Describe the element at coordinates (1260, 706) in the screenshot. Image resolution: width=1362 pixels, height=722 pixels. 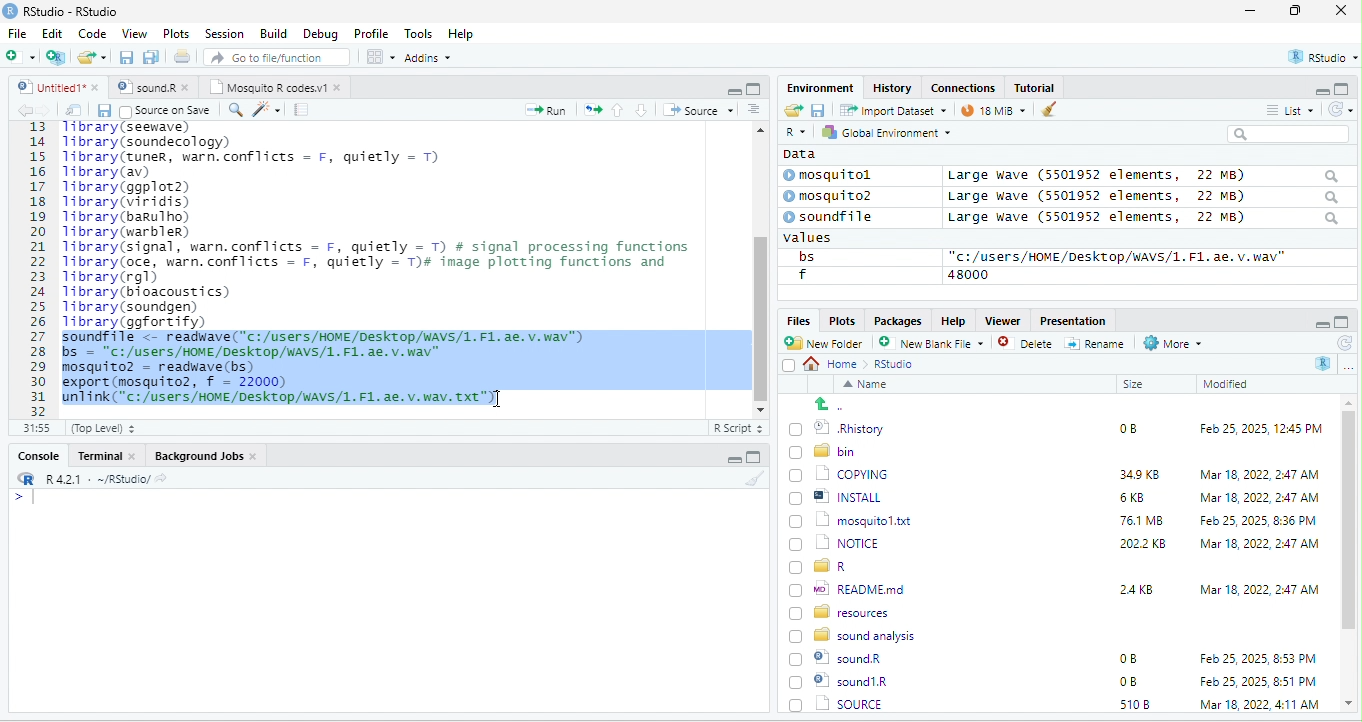
I see `Apr 26, 2022, 1:00 PM` at that location.